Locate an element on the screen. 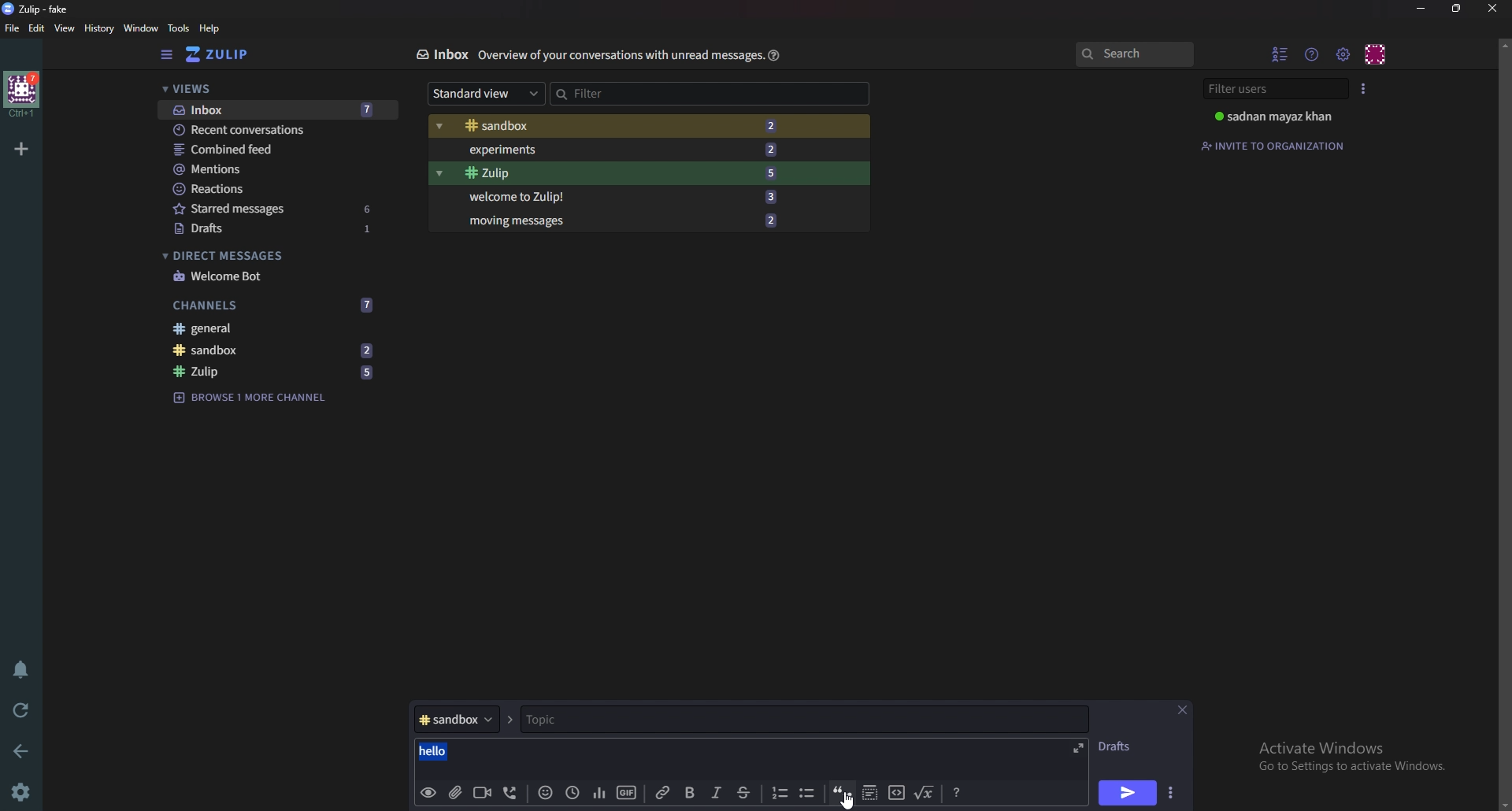 The width and height of the screenshot is (1512, 811). Moving messages  is located at coordinates (524, 224).